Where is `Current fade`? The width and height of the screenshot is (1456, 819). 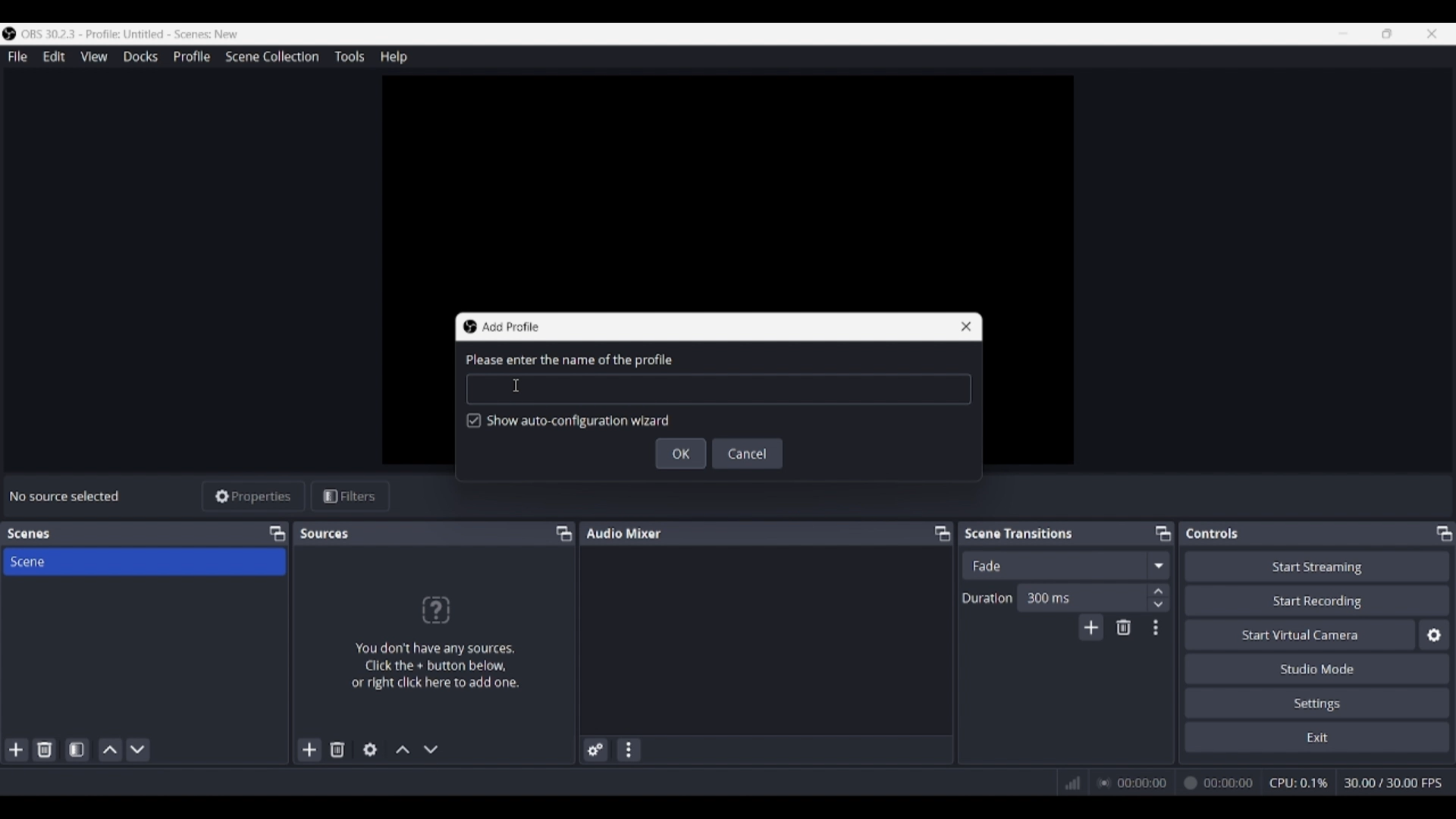
Current fade is located at coordinates (1053, 565).